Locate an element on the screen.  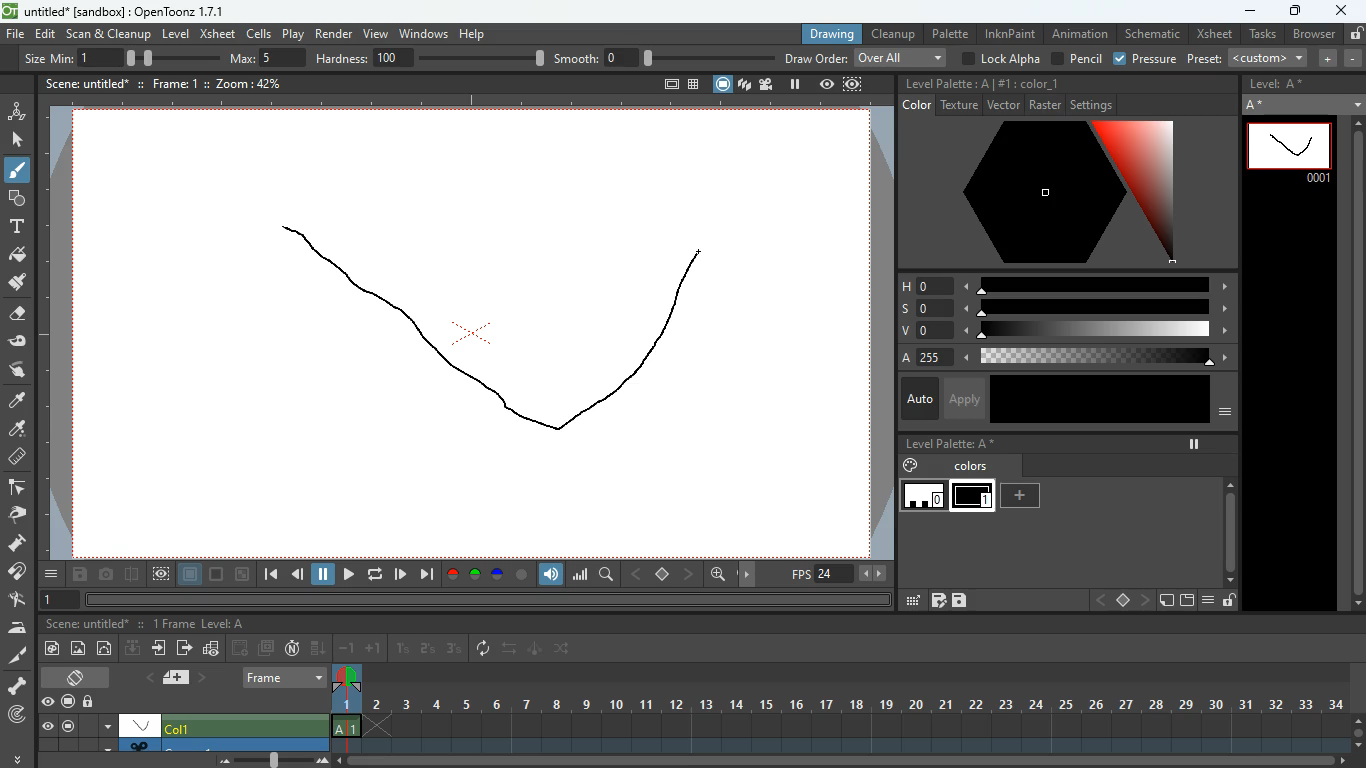
colors is located at coordinates (949, 465).